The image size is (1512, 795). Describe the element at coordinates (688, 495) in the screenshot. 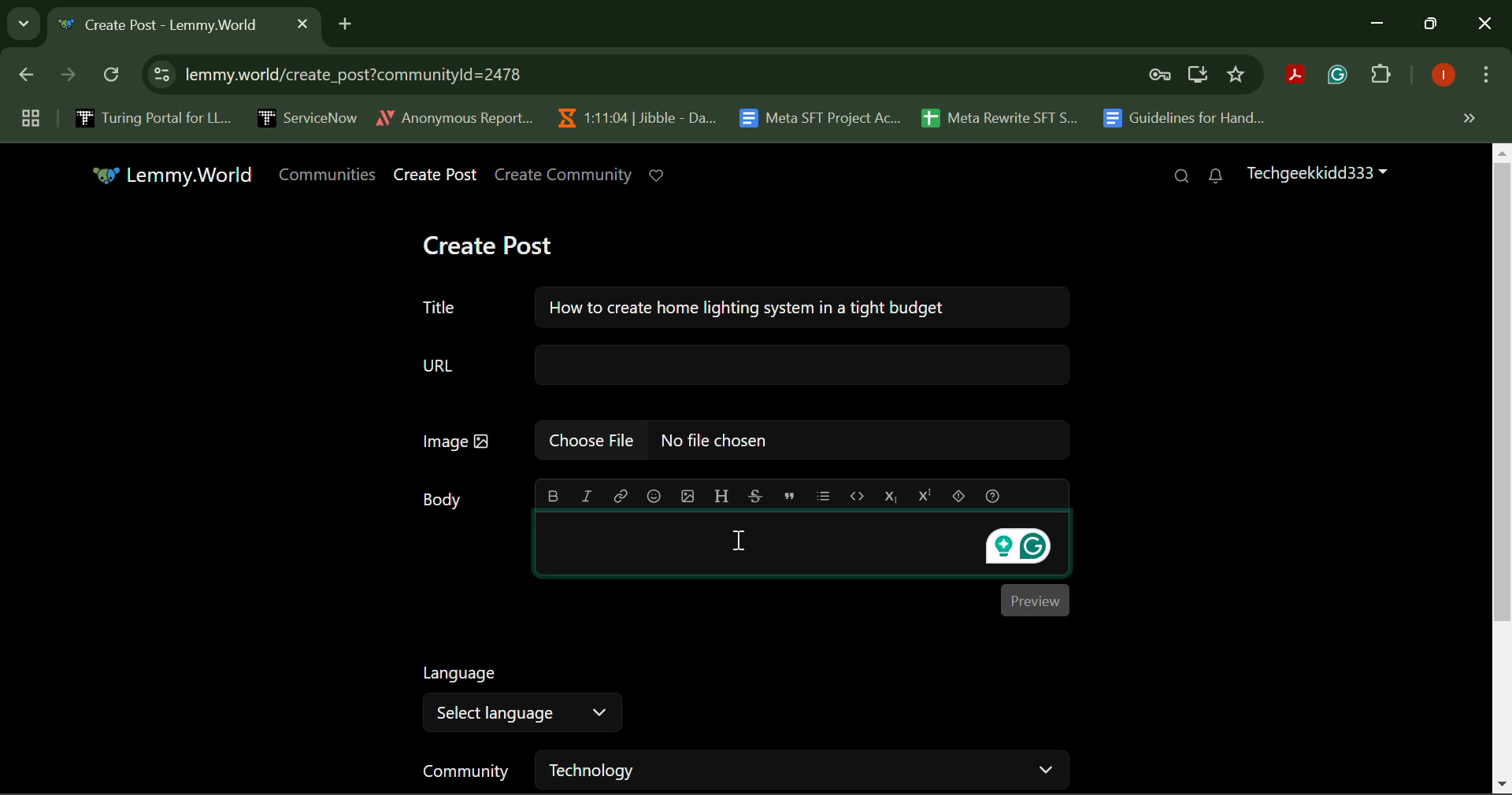

I see `upload image` at that location.